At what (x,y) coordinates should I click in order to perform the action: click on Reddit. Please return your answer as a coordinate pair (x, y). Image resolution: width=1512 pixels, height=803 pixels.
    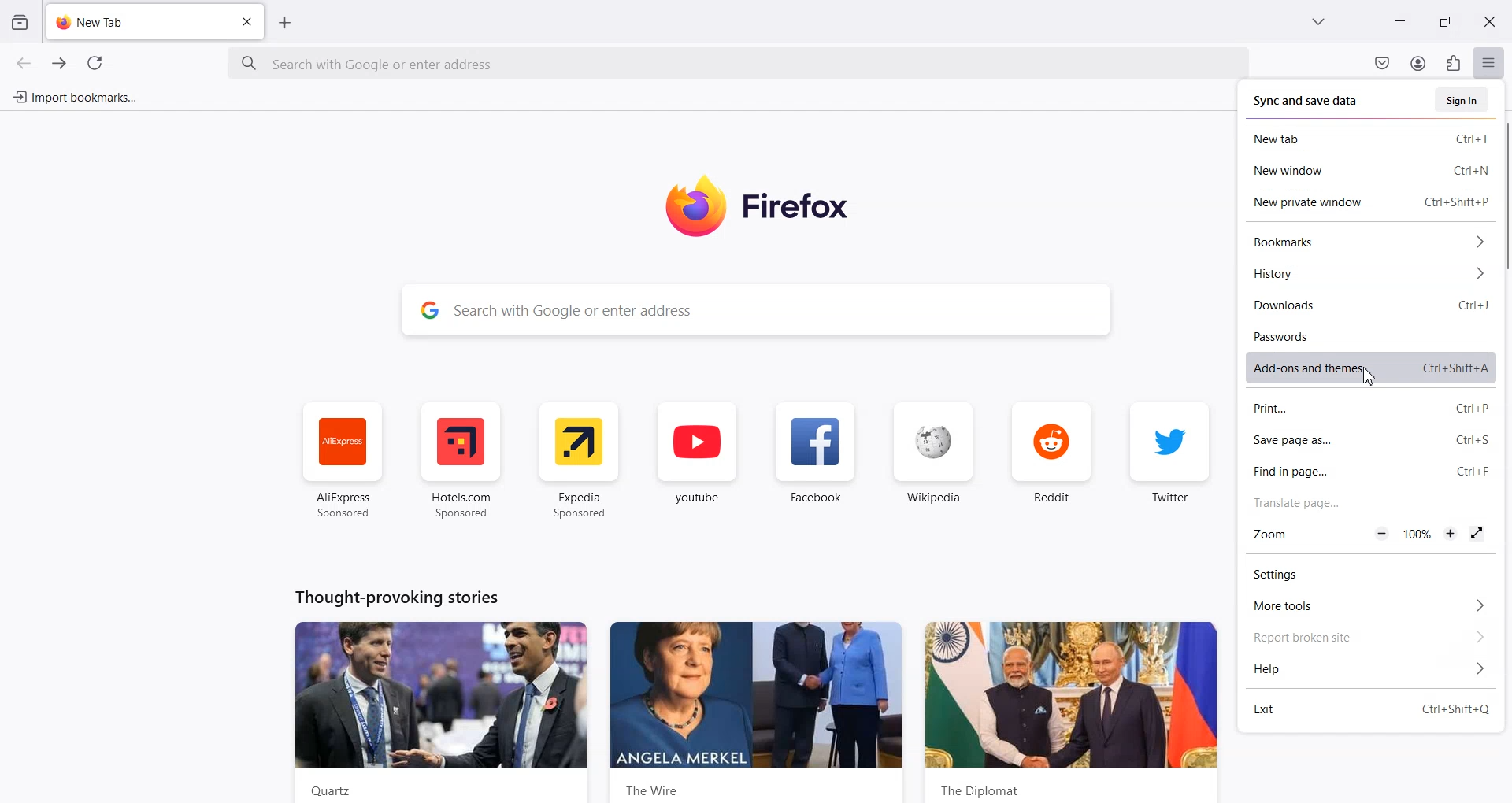
    Looking at the image, I should click on (1052, 457).